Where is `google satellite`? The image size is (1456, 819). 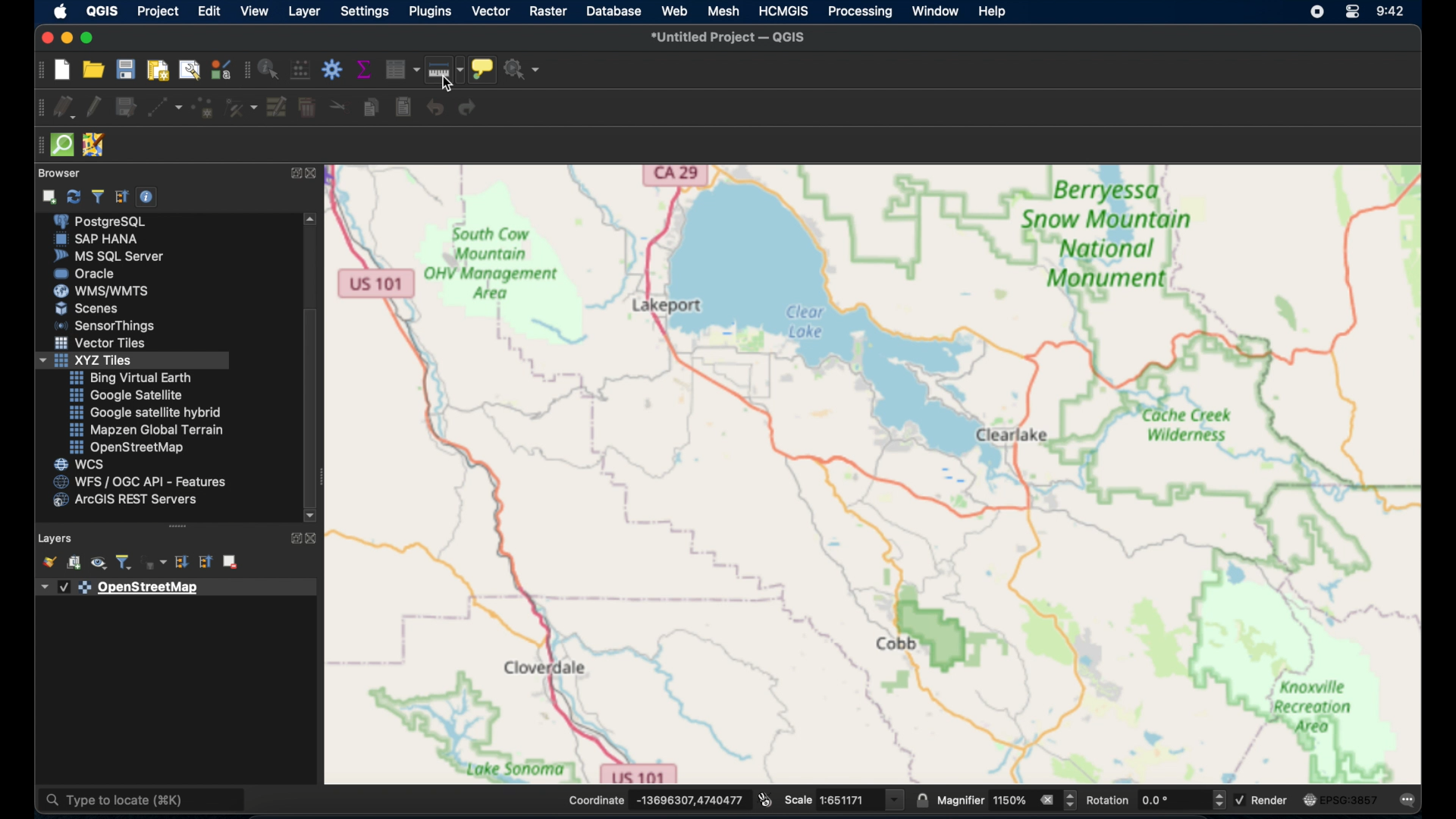
google satellite is located at coordinates (125, 395).